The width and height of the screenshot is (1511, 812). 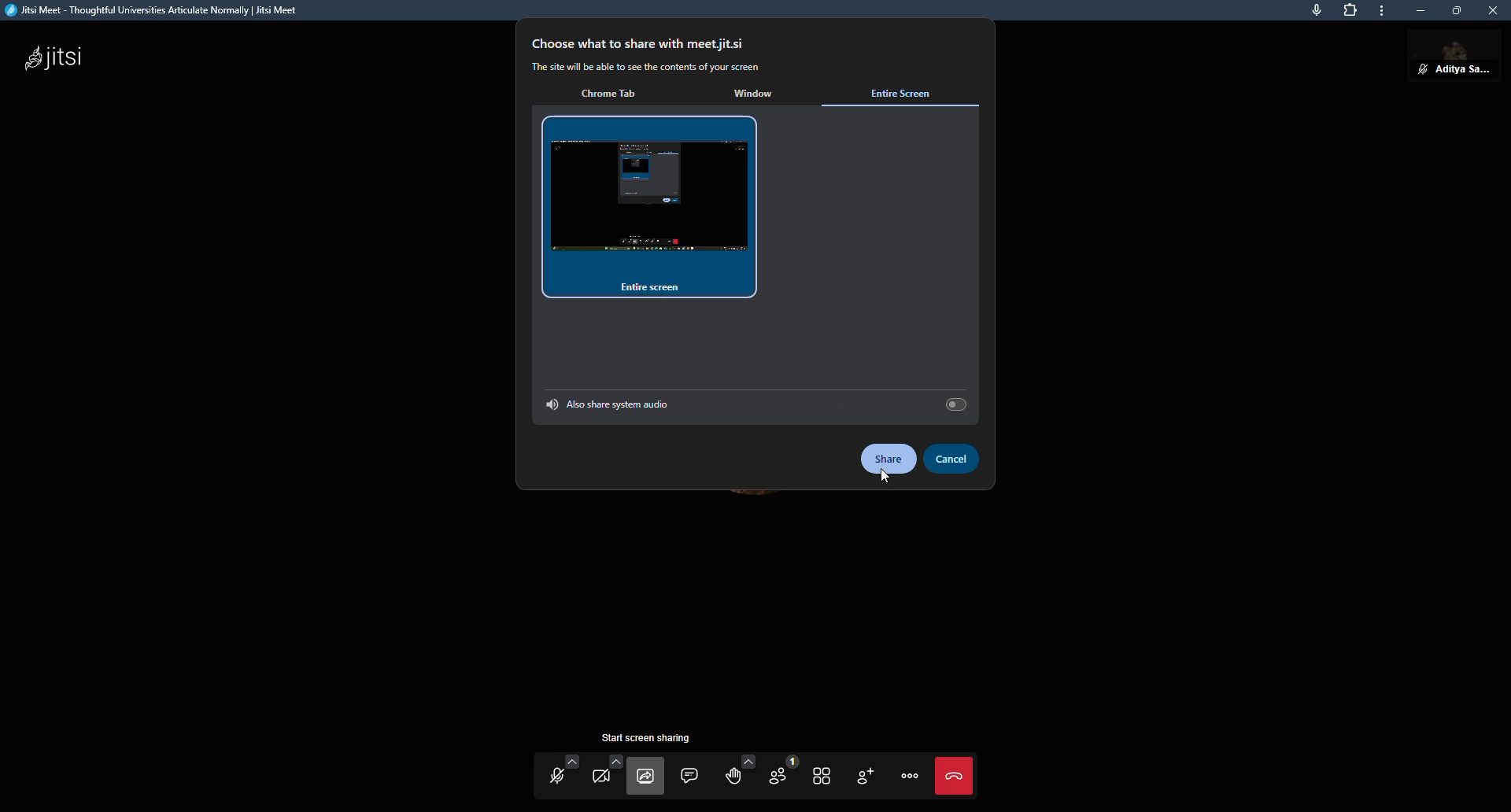 What do you see at coordinates (55, 59) in the screenshot?
I see `jitsi` at bounding box center [55, 59].